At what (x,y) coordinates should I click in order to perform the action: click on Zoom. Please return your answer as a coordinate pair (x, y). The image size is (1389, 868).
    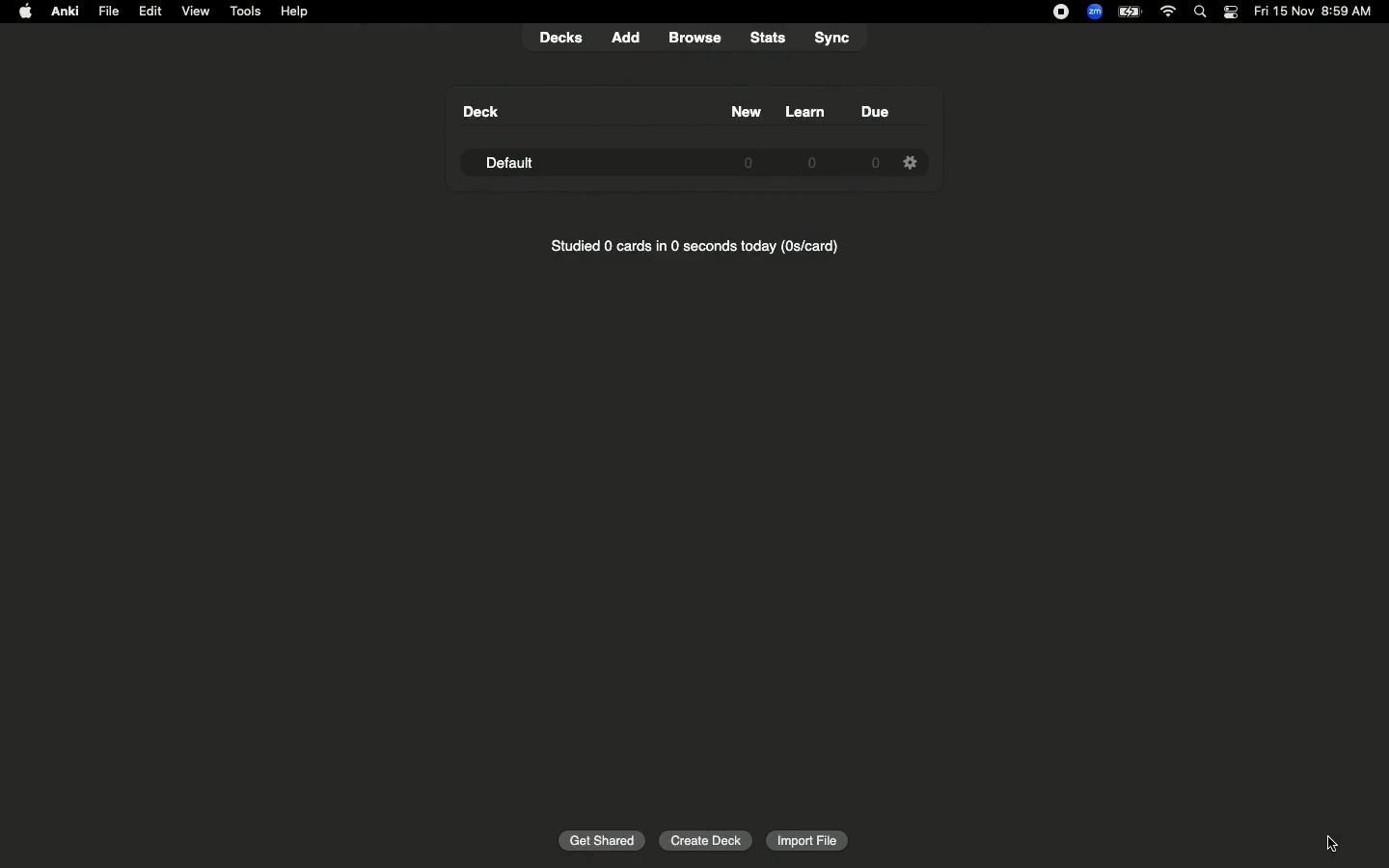
    Looking at the image, I should click on (1094, 13).